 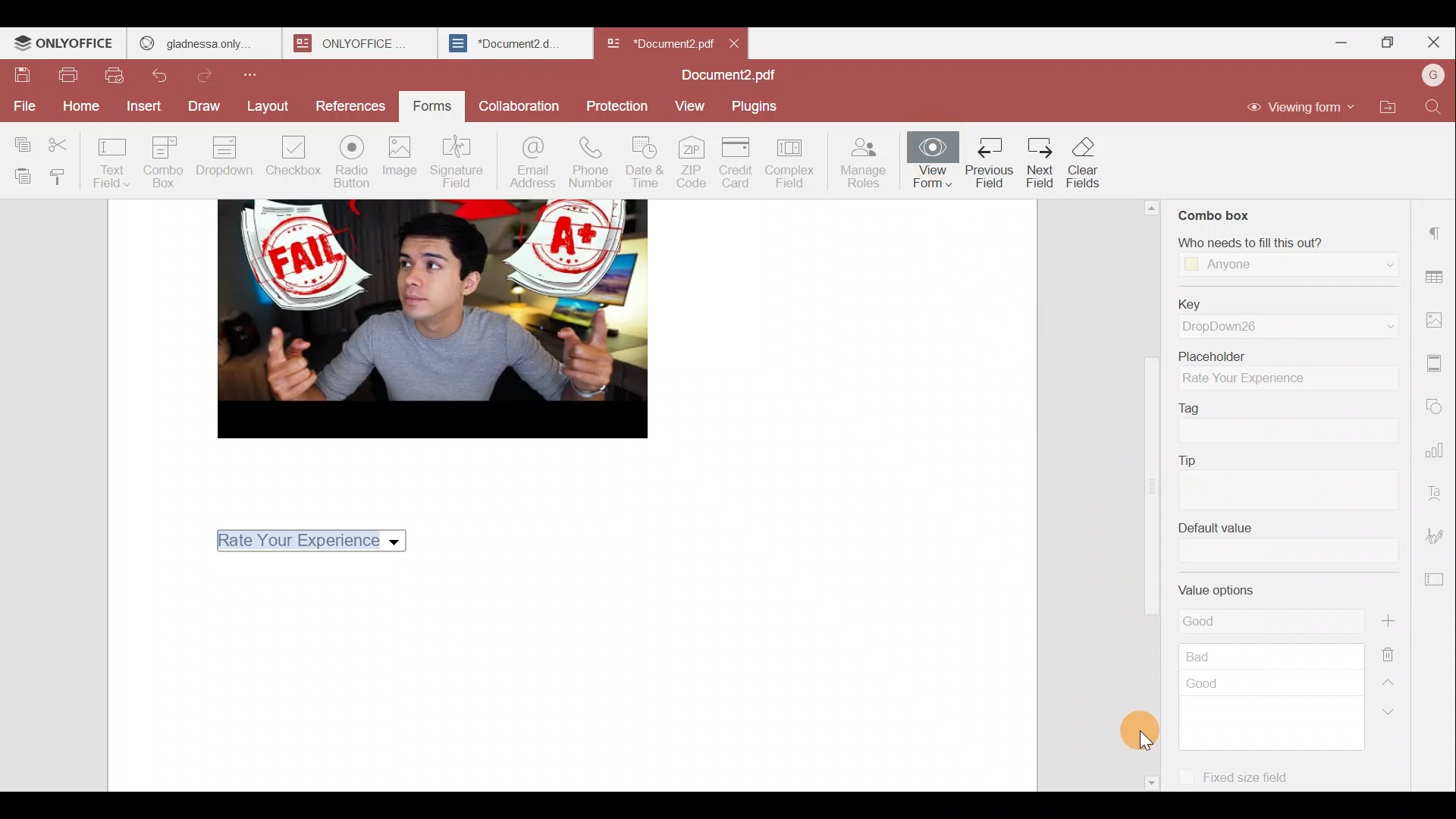 I want to click on Close, so click(x=1433, y=42).